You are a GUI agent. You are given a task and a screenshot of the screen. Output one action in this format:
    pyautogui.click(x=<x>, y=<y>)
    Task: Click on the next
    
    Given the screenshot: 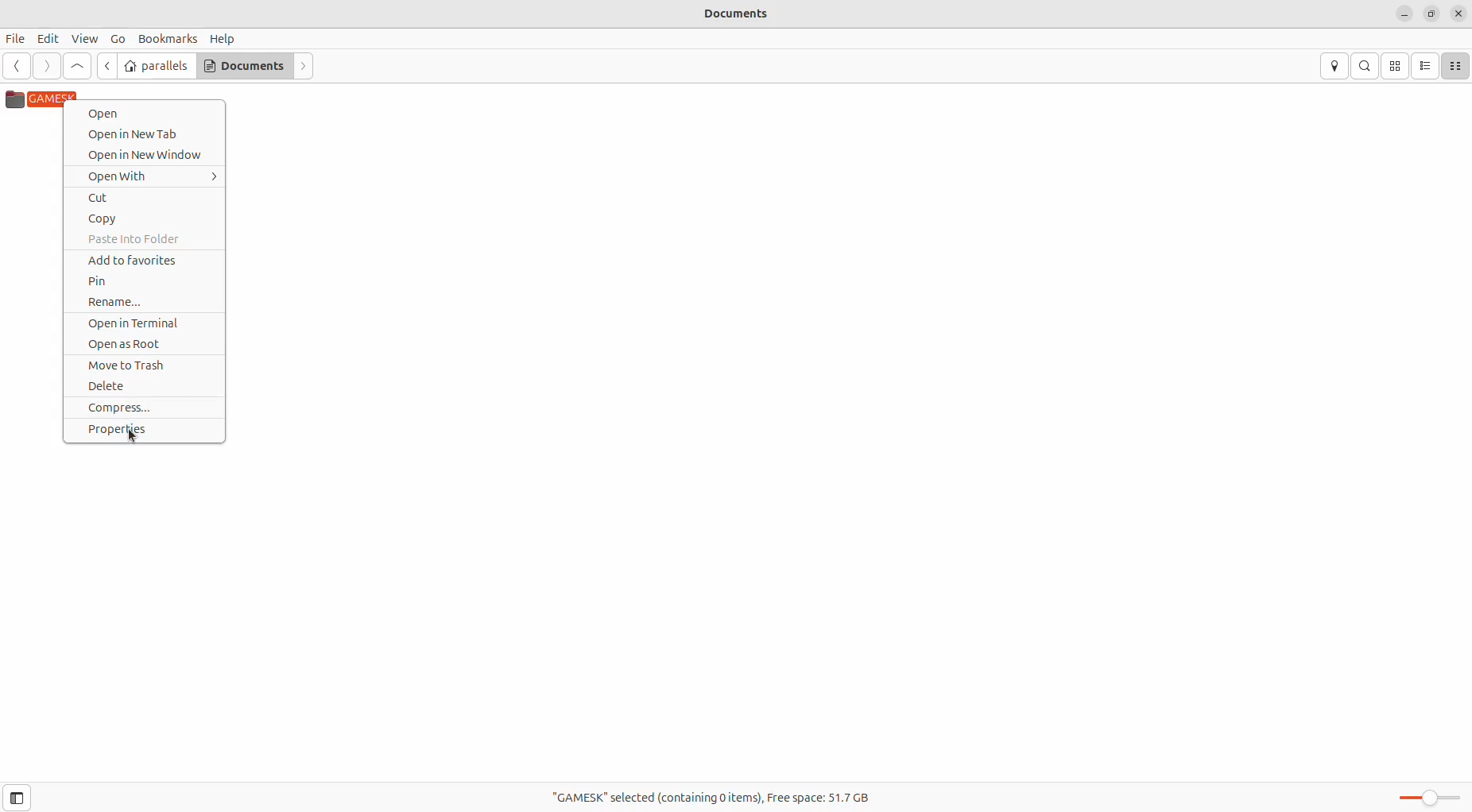 What is the action you would take?
    pyautogui.click(x=45, y=65)
    